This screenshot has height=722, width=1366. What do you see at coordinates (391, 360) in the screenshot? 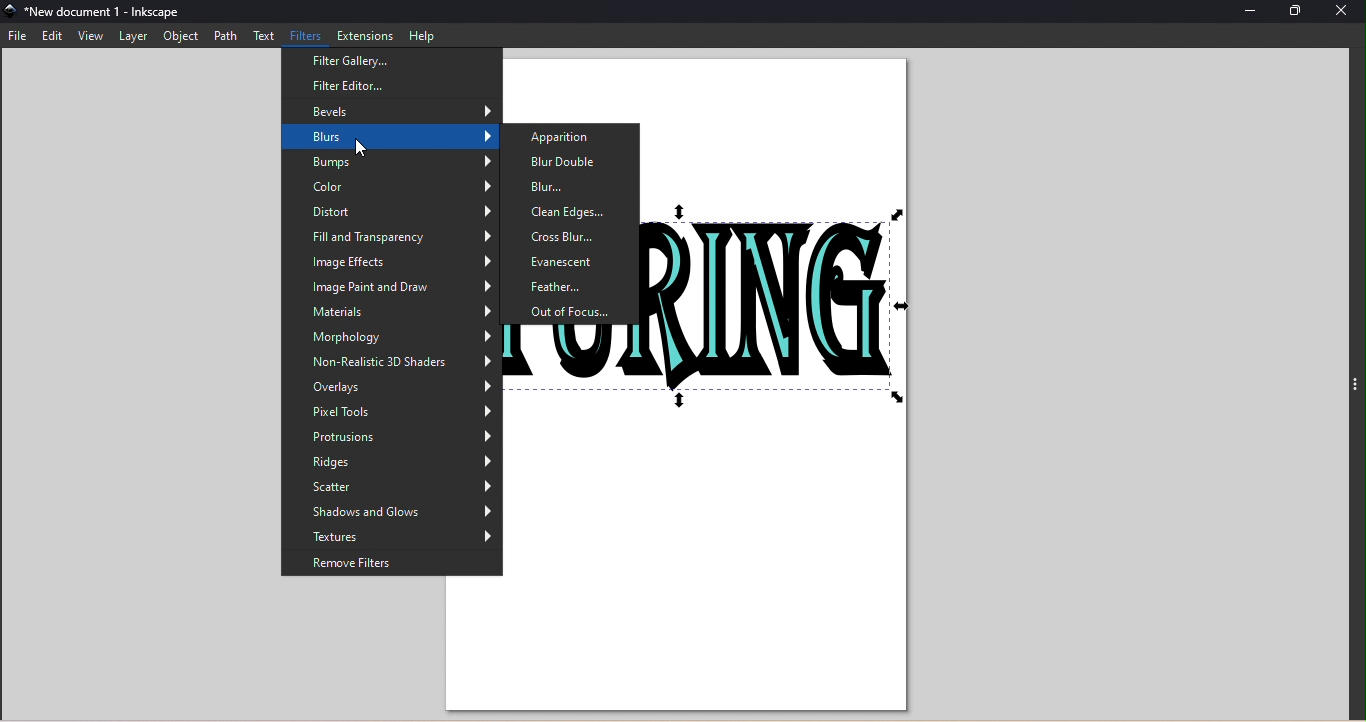
I see `Non-realistic 3D Shaders` at bounding box center [391, 360].